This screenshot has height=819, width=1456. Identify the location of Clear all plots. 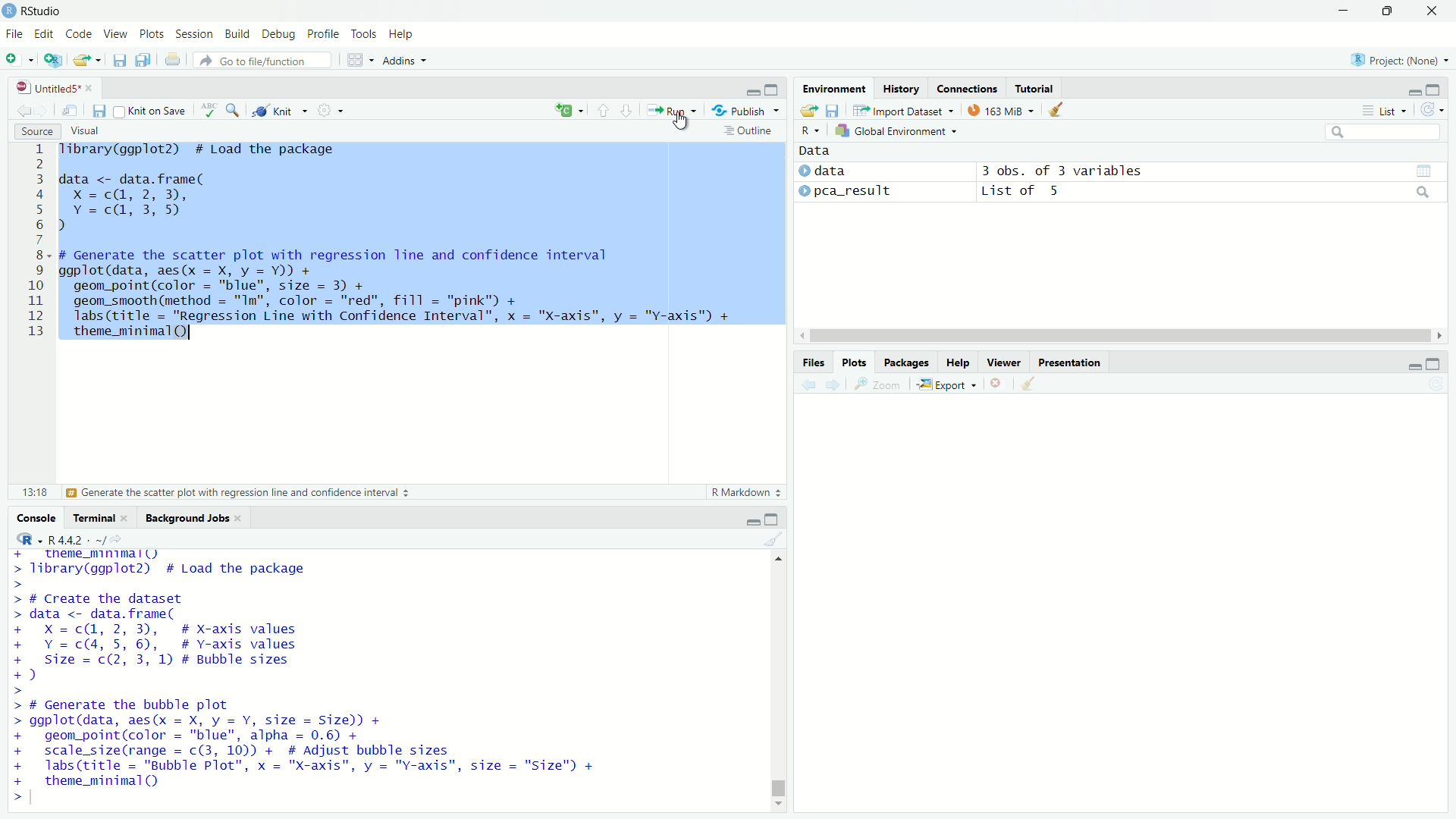
(1028, 384).